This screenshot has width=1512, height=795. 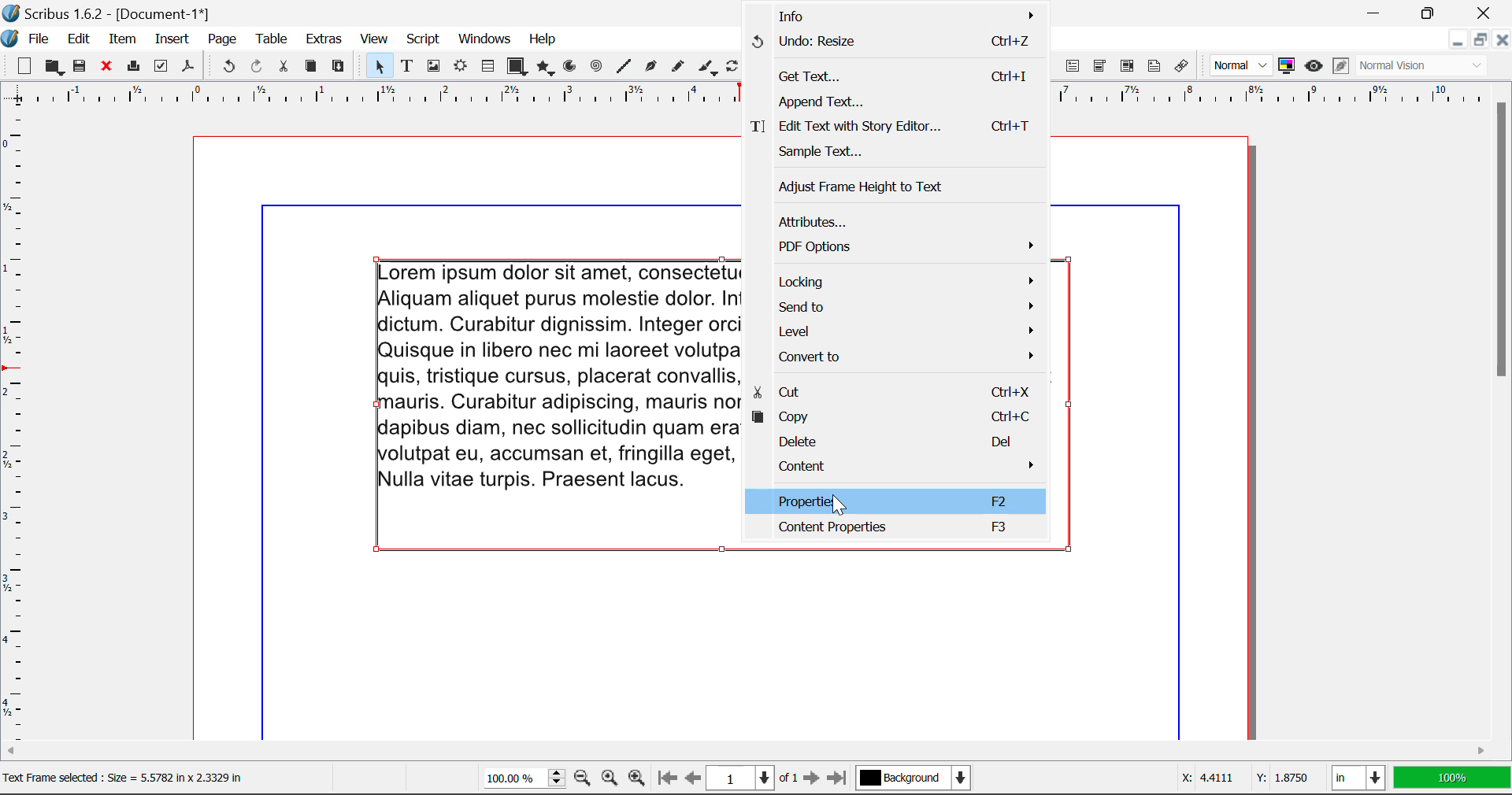 What do you see at coordinates (407, 68) in the screenshot?
I see `Text Frames` at bounding box center [407, 68].